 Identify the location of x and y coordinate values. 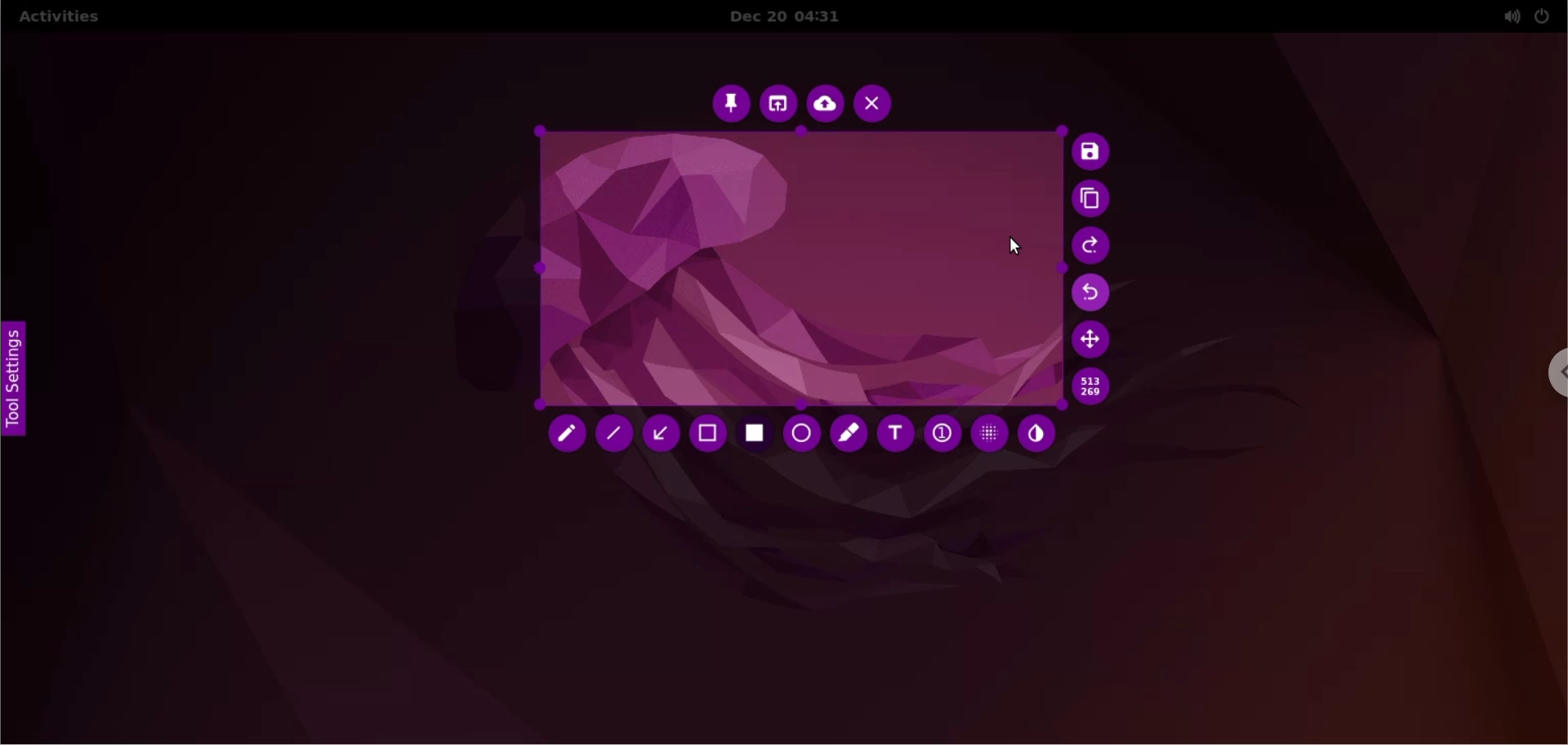
(1095, 389).